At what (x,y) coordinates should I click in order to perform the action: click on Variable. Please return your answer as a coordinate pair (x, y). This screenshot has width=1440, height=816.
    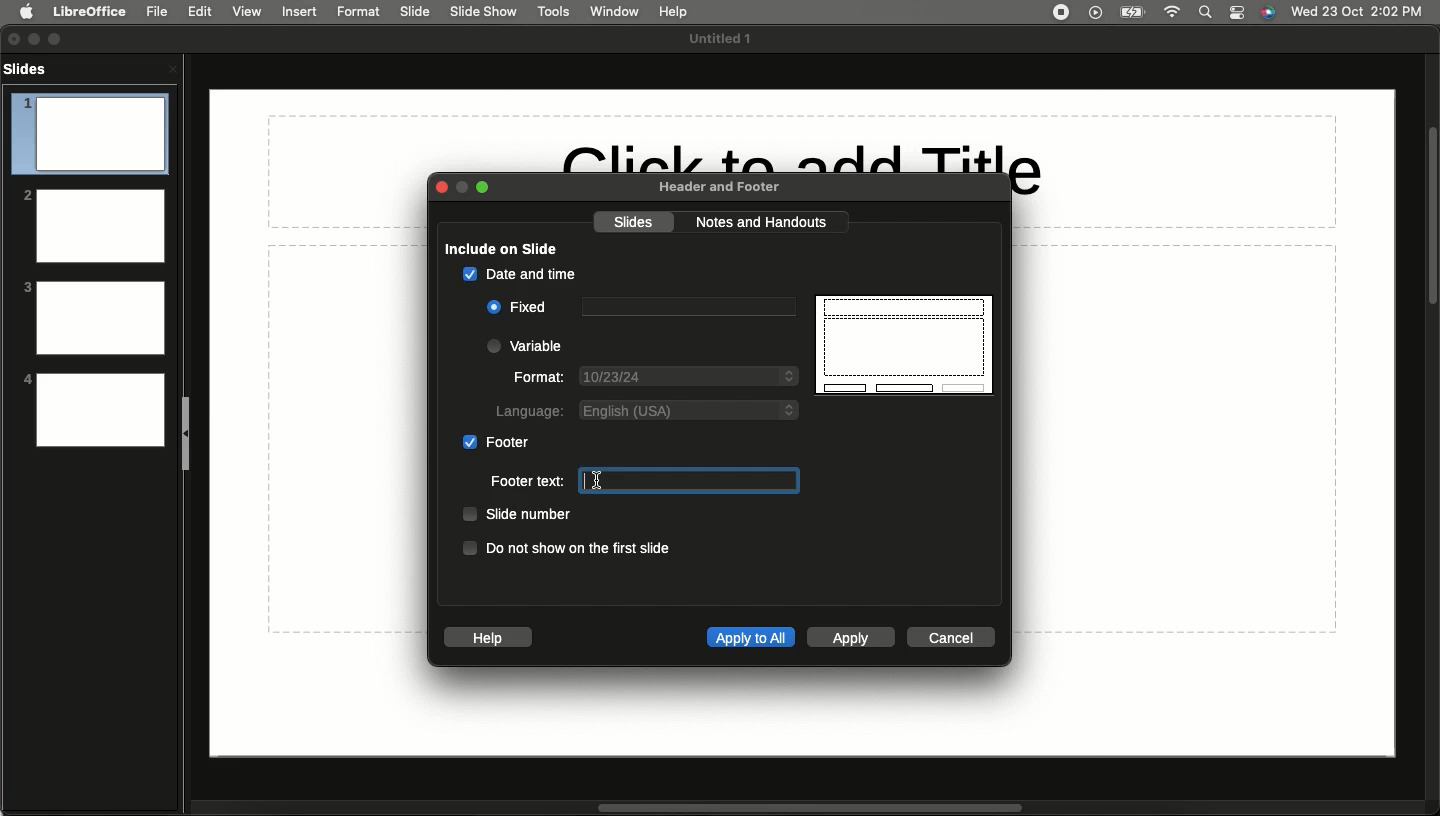
    Looking at the image, I should click on (528, 345).